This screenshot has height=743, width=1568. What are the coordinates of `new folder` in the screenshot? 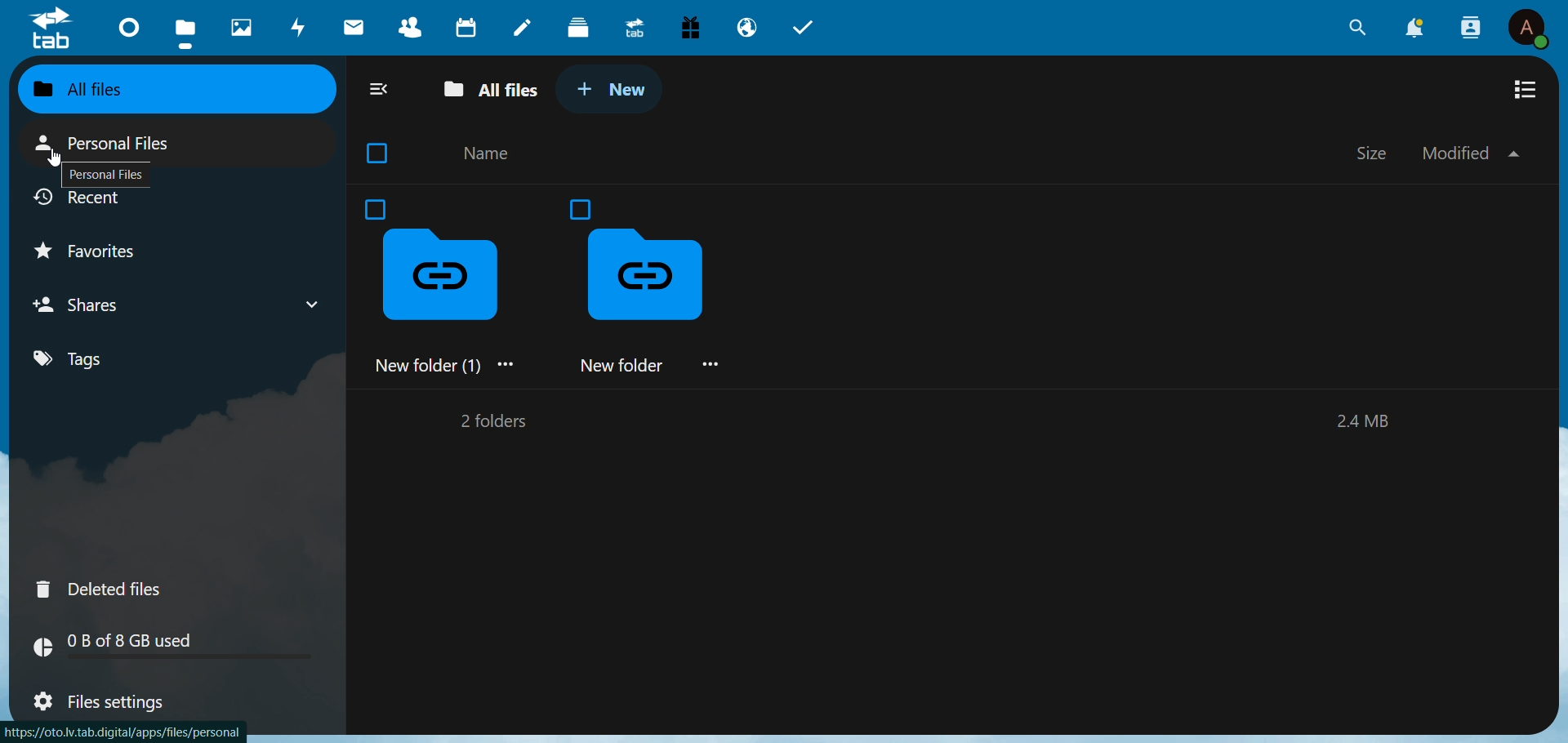 It's located at (661, 289).